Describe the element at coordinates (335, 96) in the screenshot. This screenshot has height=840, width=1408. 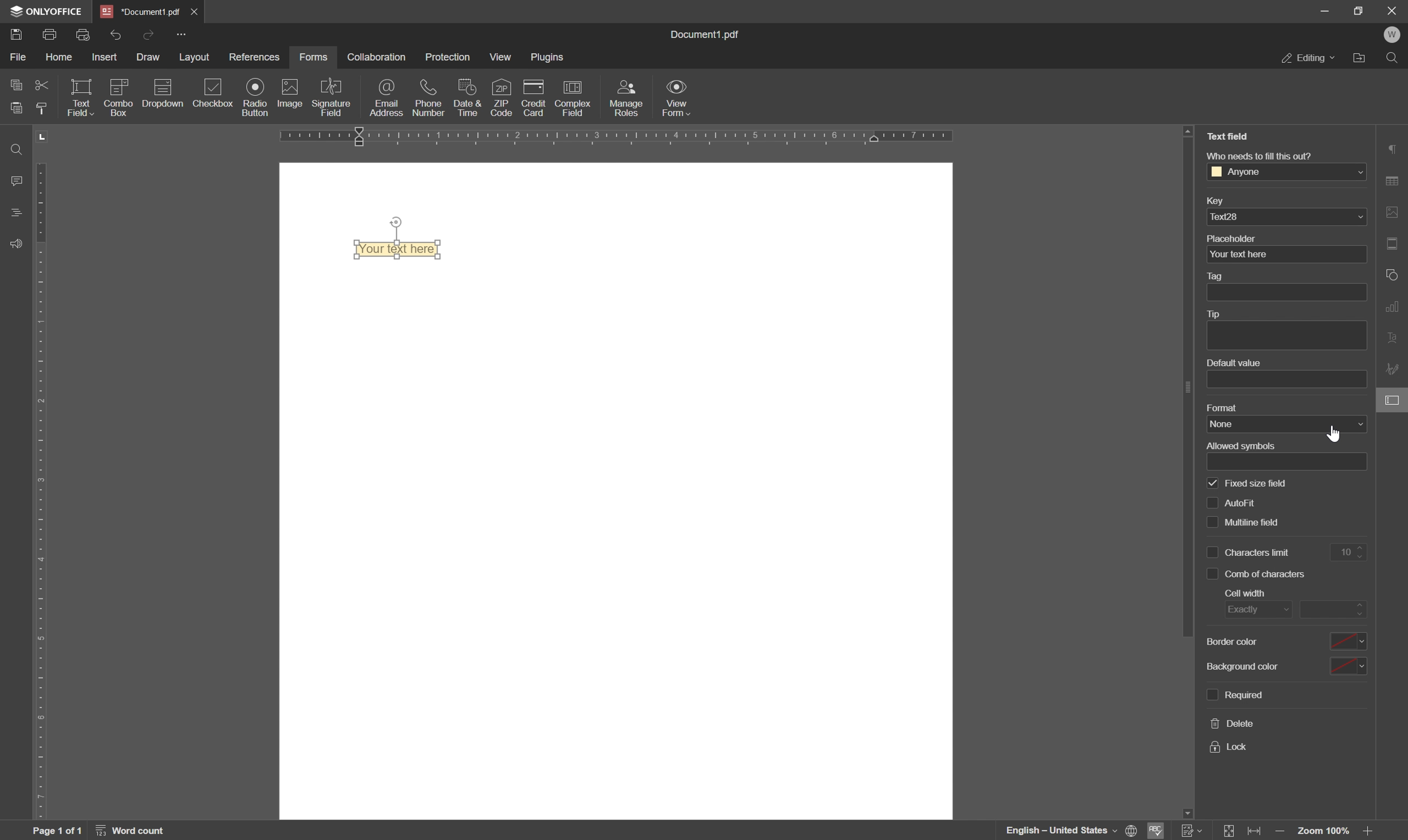
I see `signature field` at that location.